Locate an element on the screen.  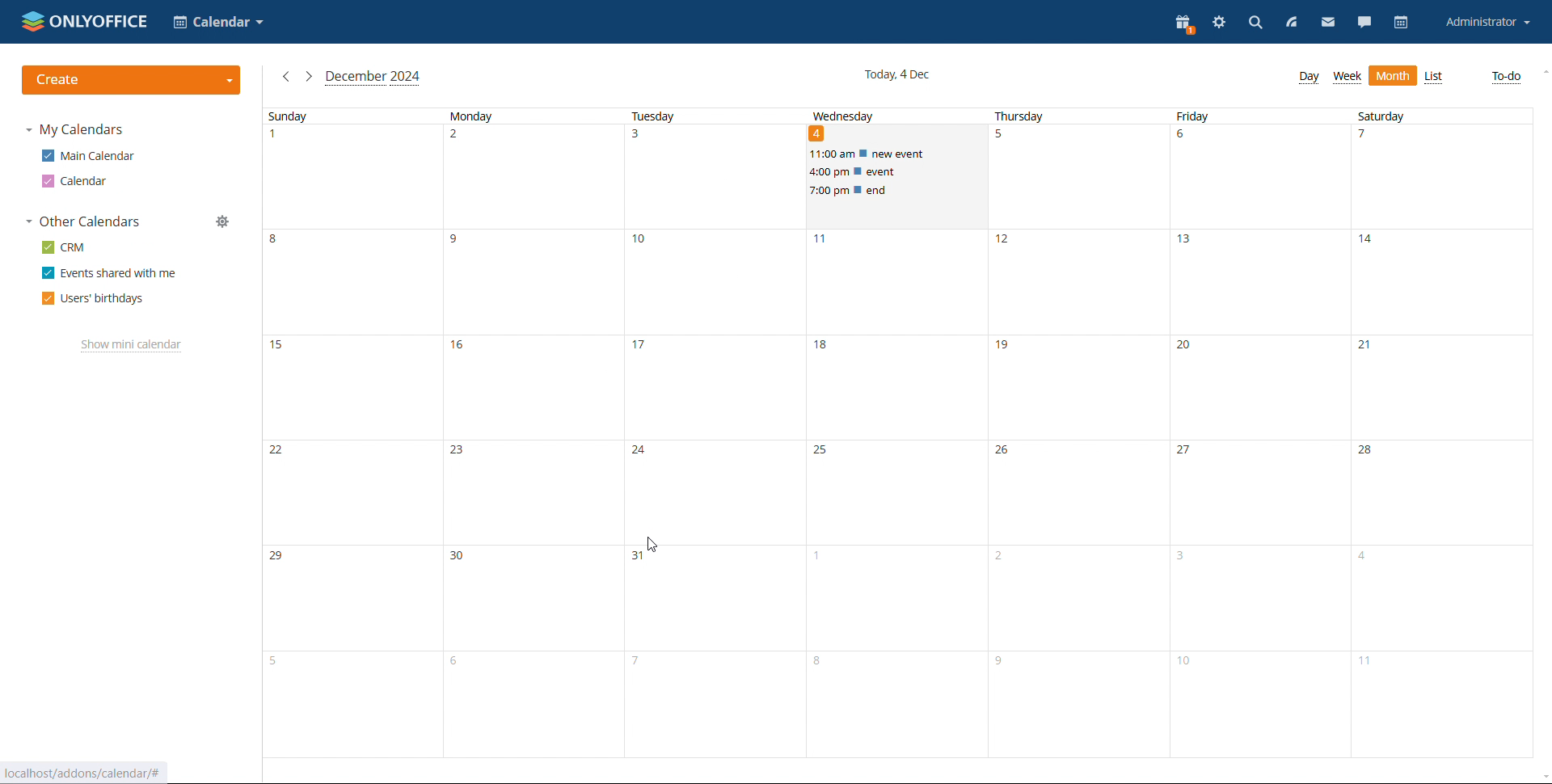
friday is located at coordinates (1263, 433).